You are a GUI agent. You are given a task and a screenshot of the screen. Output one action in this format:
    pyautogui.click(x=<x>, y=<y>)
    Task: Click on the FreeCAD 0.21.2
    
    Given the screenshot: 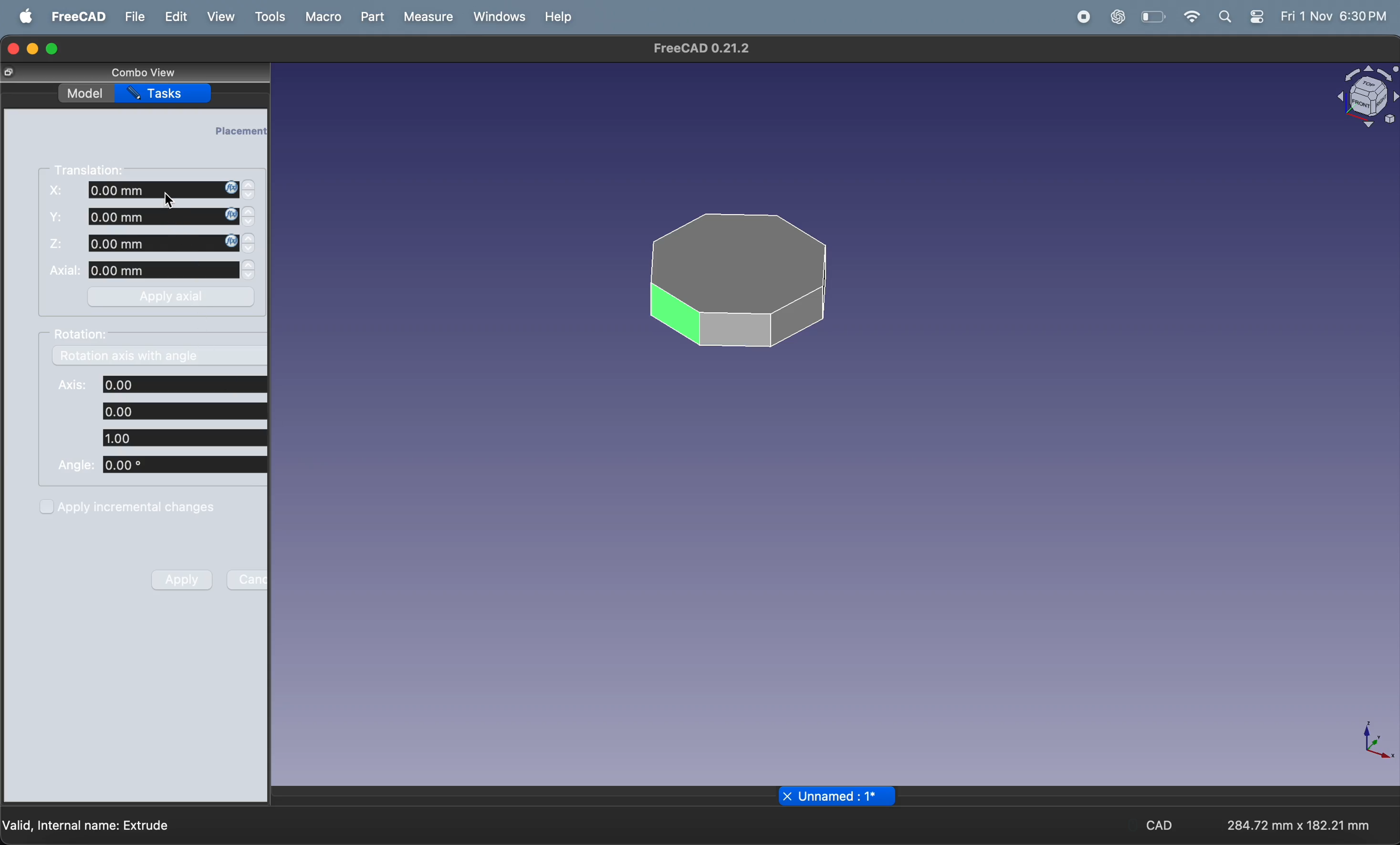 What is the action you would take?
    pyautogui.click(x=701, y=50)
    